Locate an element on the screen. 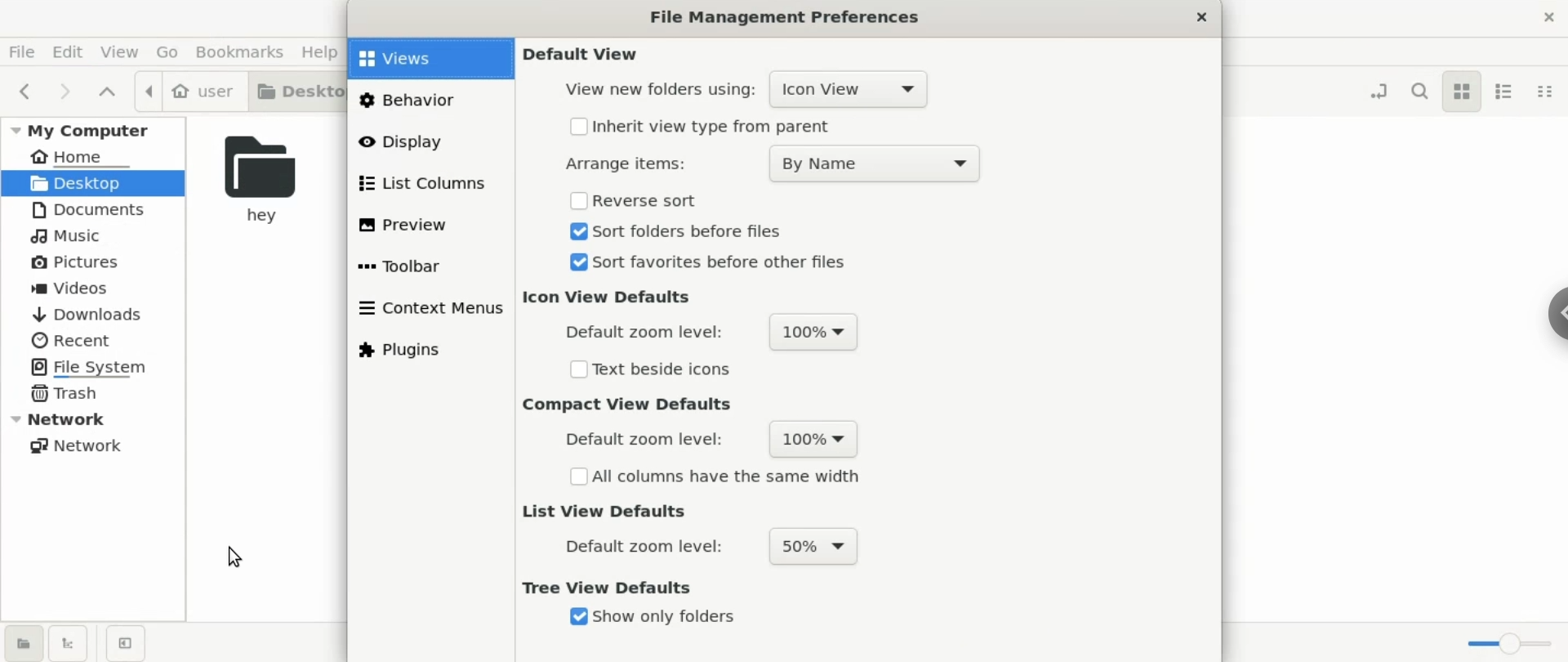 The image size is (1568, 662). close is located at coordinates (1545, 16).